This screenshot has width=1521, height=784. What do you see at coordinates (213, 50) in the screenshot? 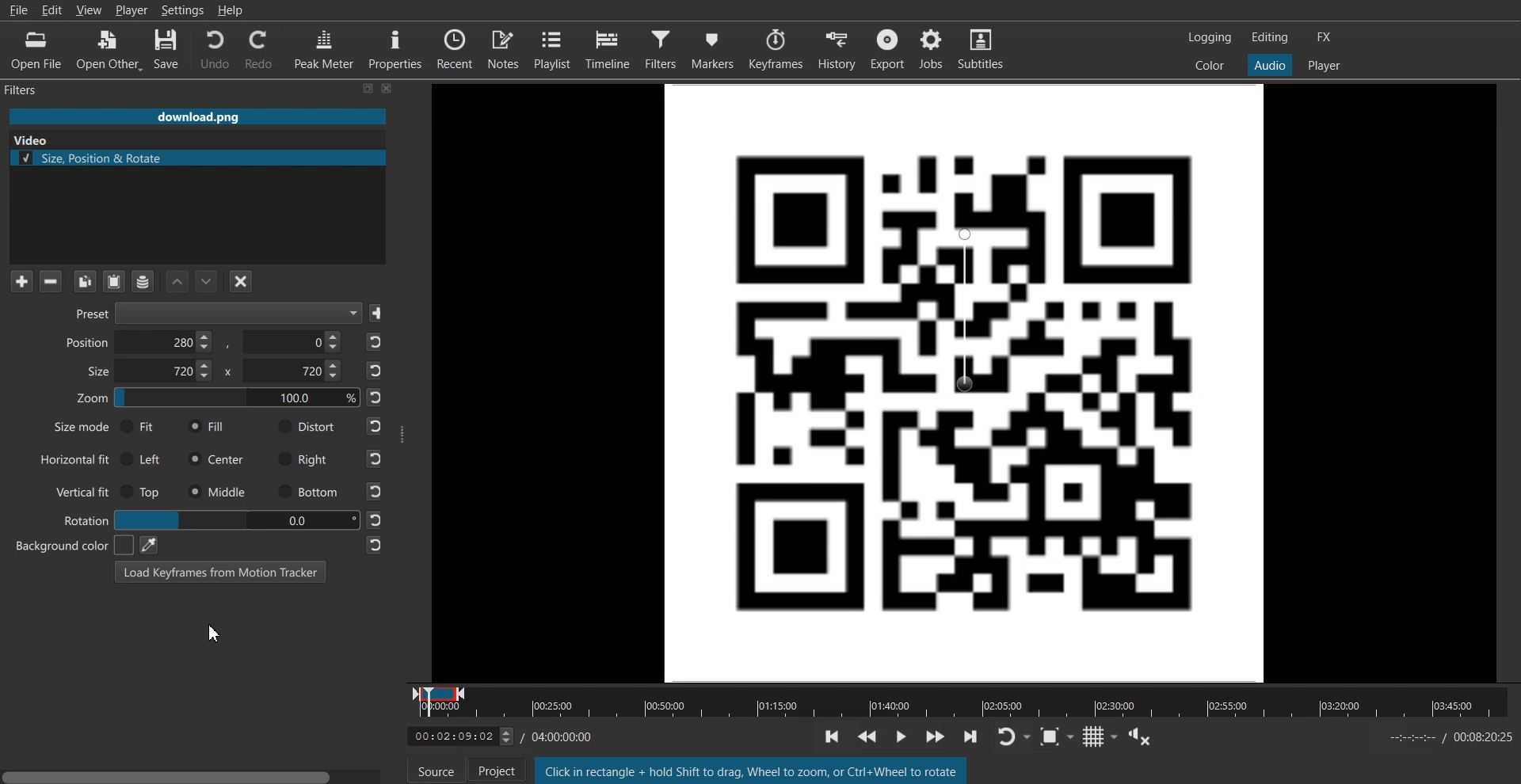
I see `Undo` at bounding box center [213, 50].